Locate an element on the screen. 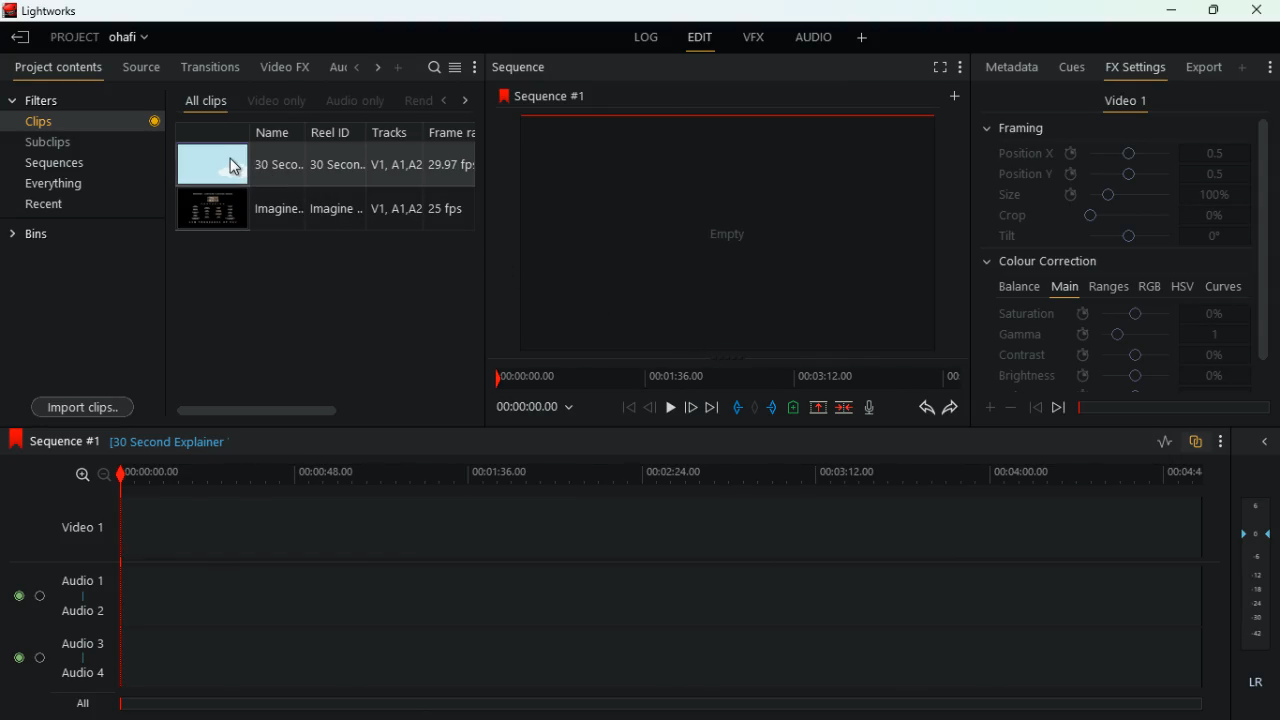  hold is located at coordinates (757, 410).